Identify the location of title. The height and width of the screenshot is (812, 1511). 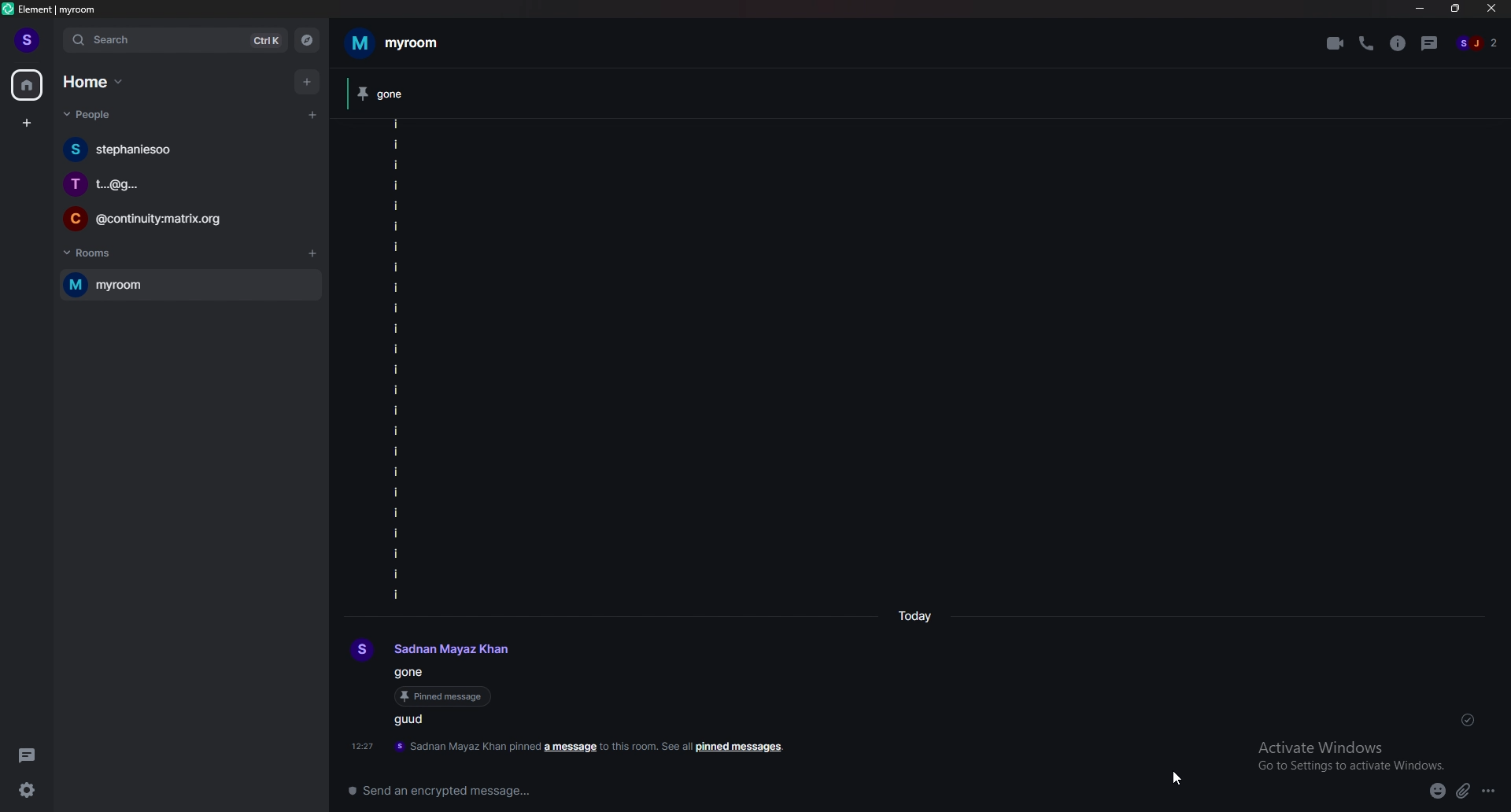
(63, 10).